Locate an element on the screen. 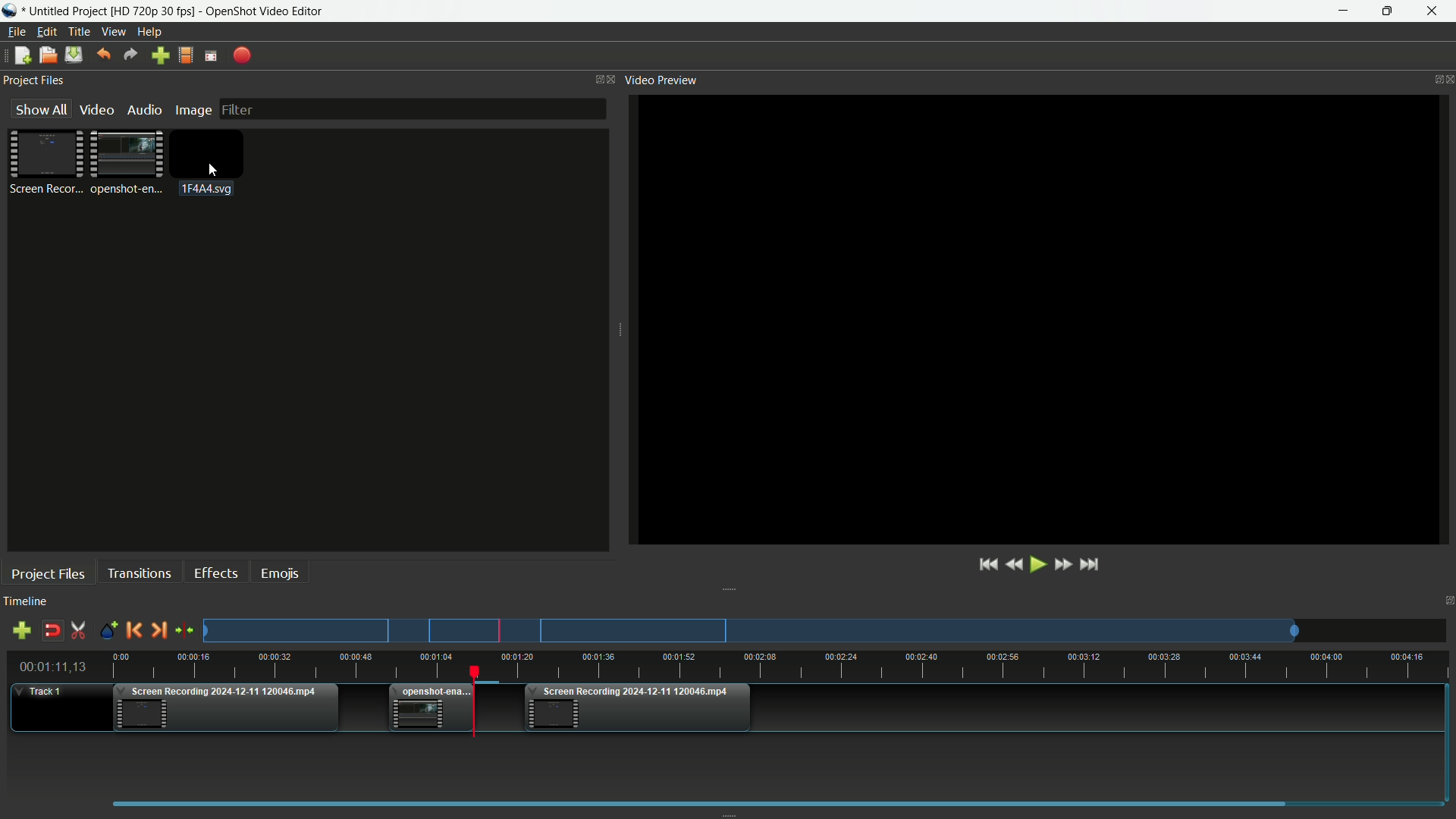  Show all is located at coordinates (36, 109).